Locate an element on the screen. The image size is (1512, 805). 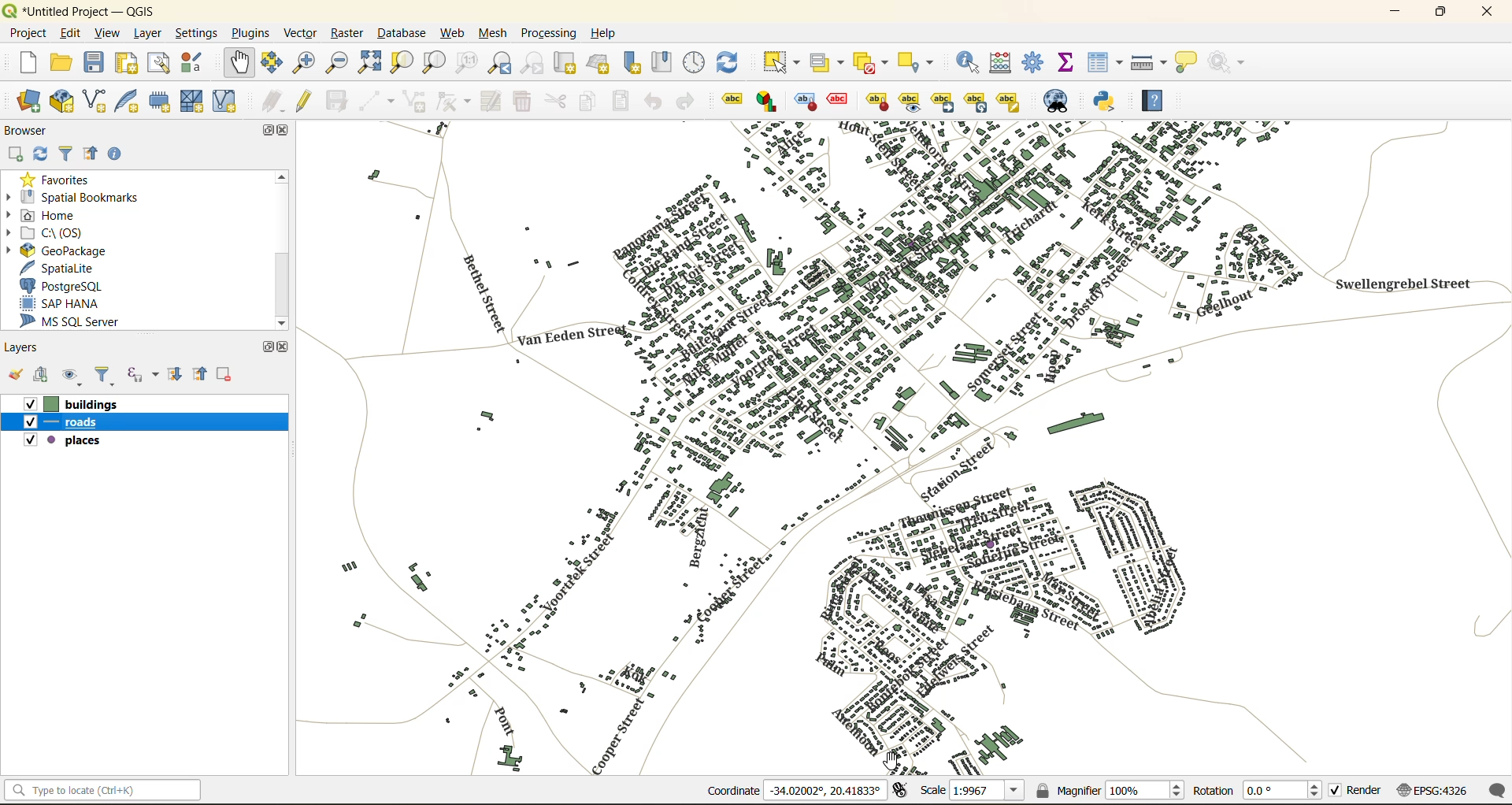
select location is located at coordinates (920, 63).